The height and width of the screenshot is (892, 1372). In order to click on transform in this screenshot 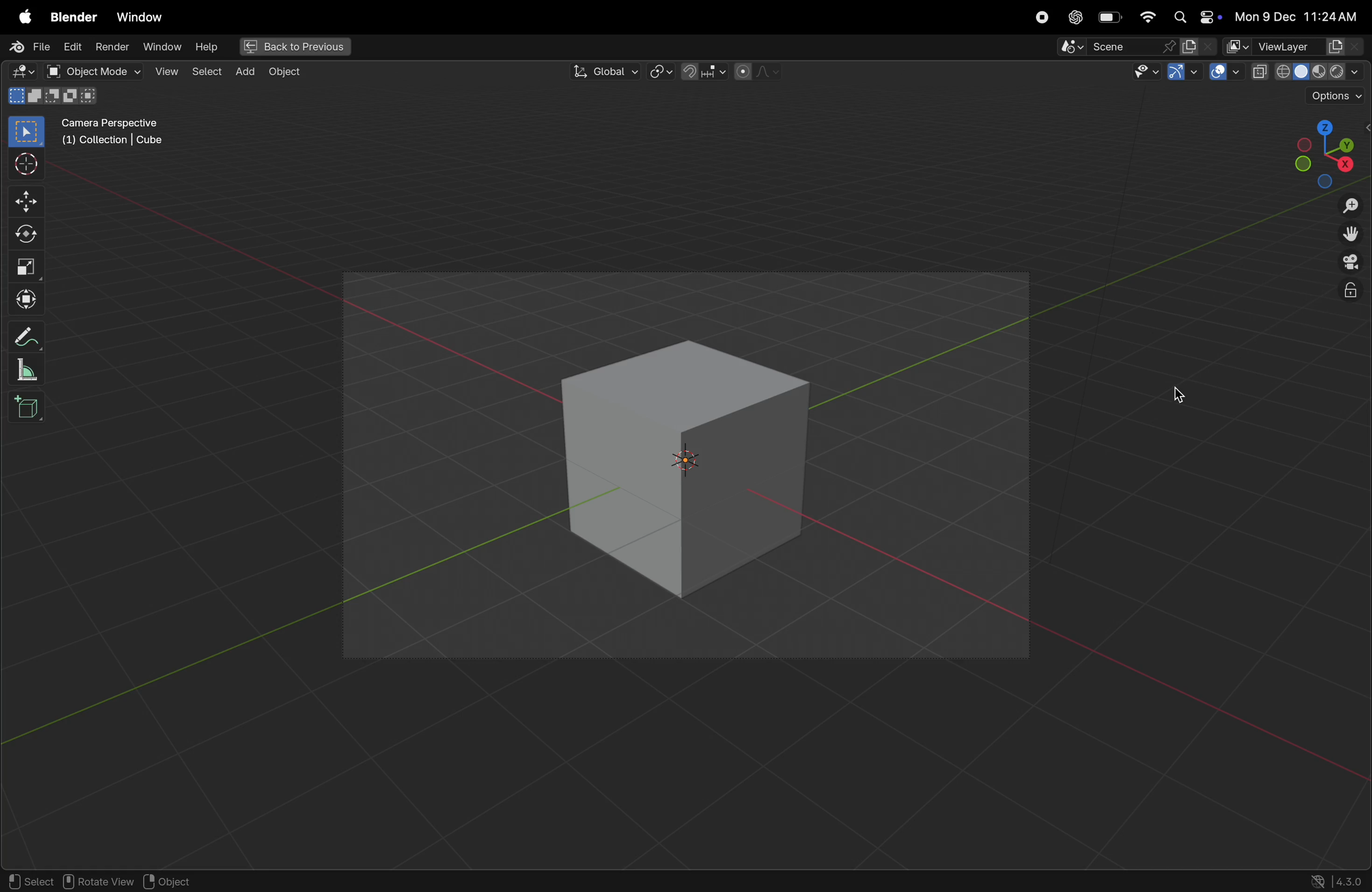, I will do `click(24, 300)`.